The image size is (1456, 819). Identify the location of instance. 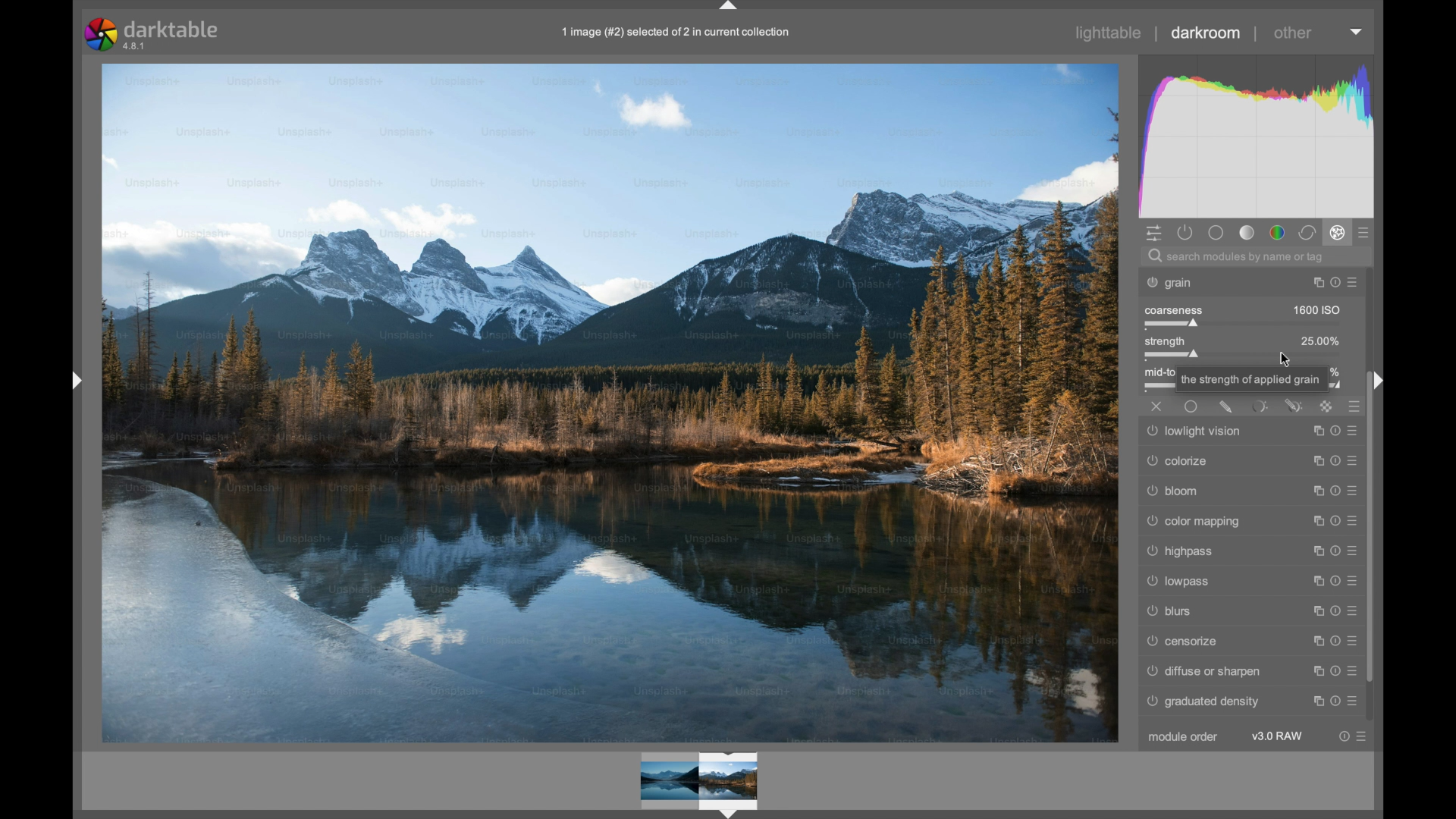
(1313, 520).